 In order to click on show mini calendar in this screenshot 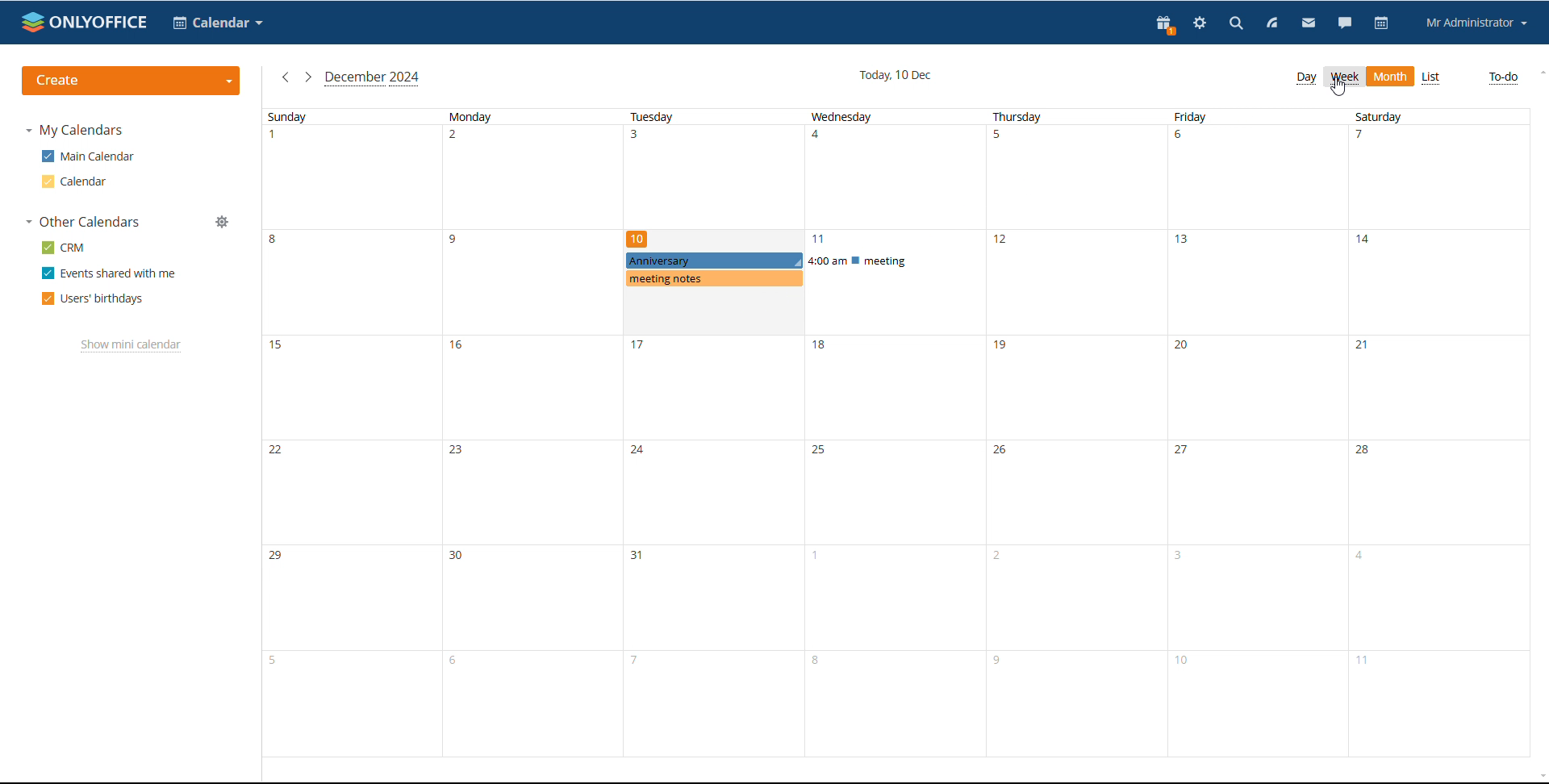, I will do `click(132, 346)`.